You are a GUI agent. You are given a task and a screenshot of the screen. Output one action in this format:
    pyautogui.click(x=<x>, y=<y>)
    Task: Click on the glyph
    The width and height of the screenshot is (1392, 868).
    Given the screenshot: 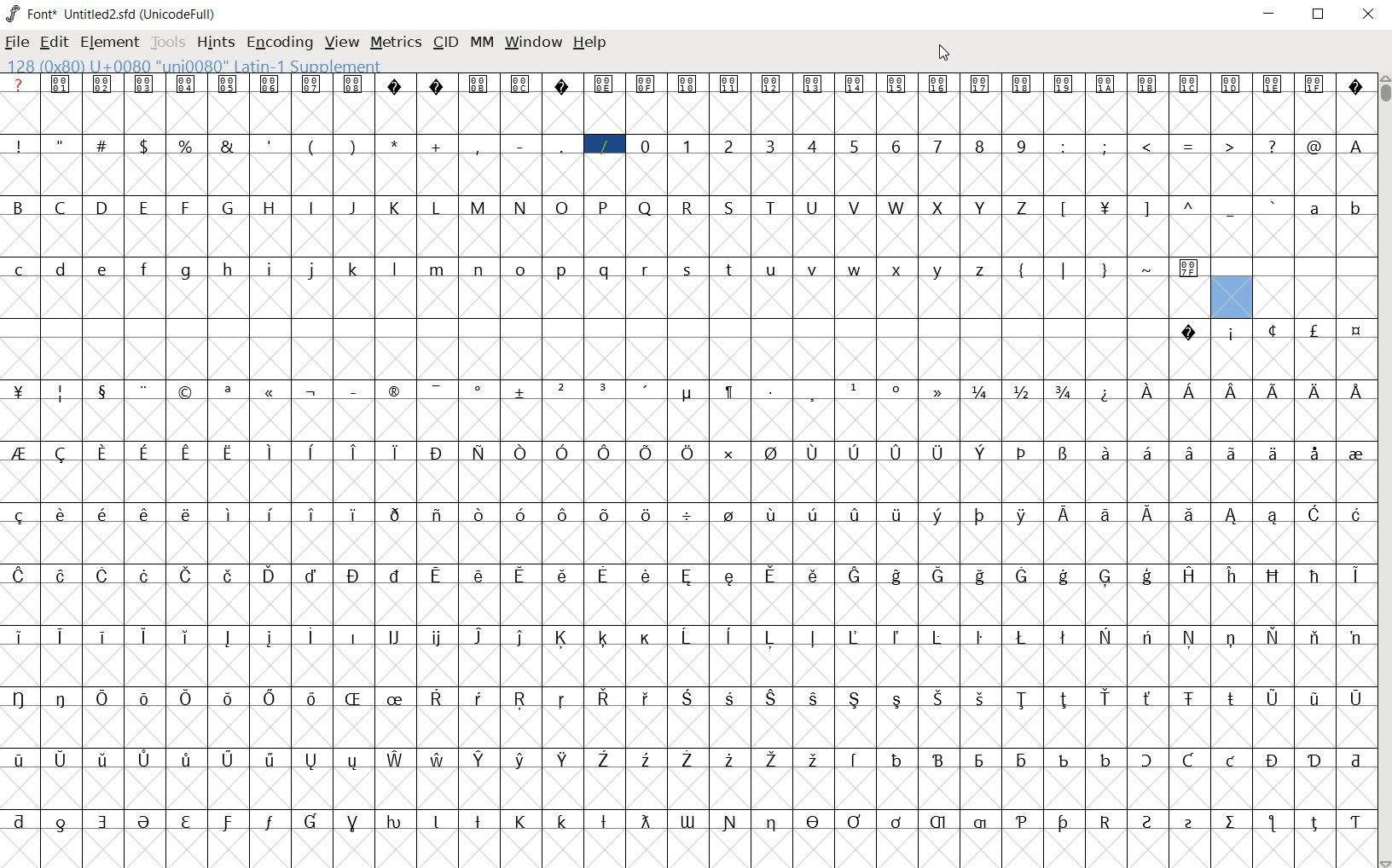 What is the action you would take?
    pyautogui.click(x=1232, y=517)
    